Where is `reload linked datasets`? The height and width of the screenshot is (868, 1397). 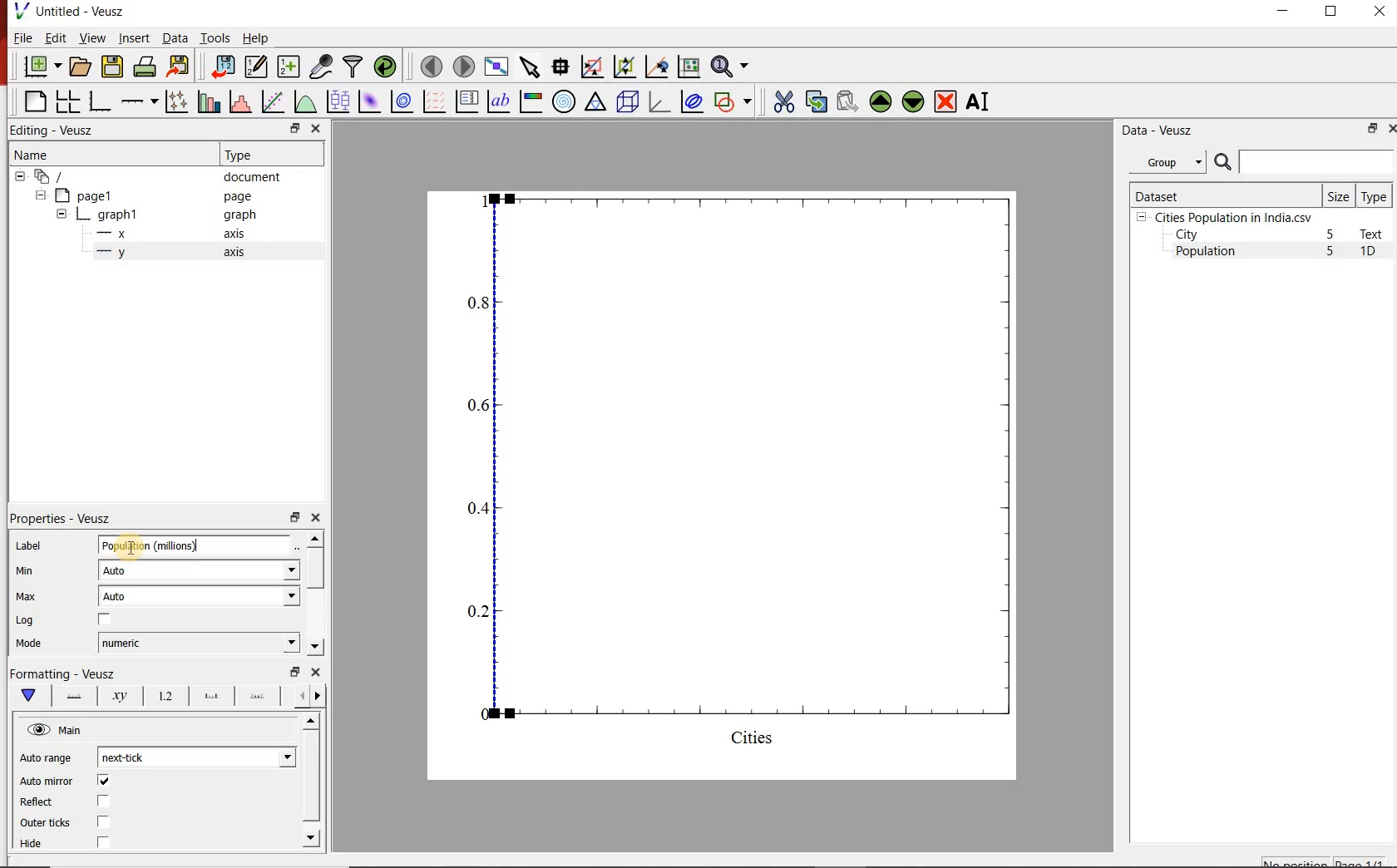 reload linked datasets is located at coordinates (384, 67).